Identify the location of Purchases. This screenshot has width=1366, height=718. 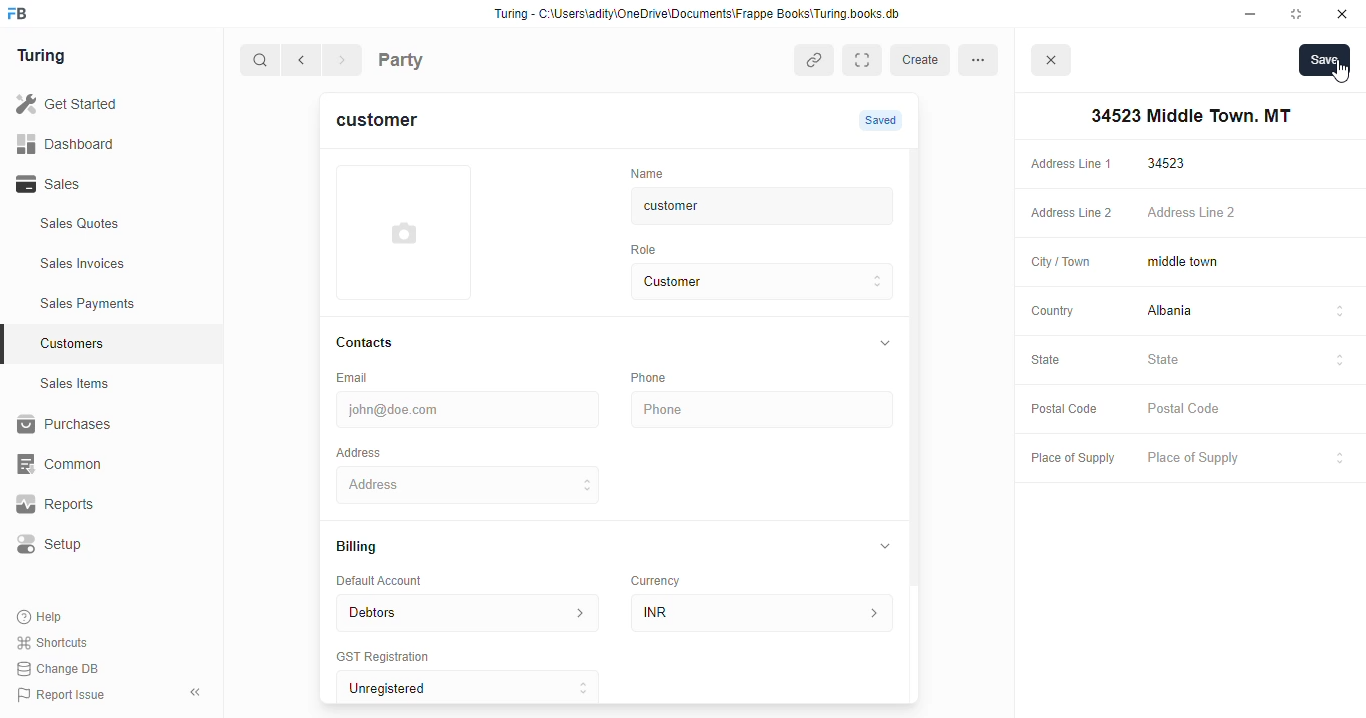
(100, 427).